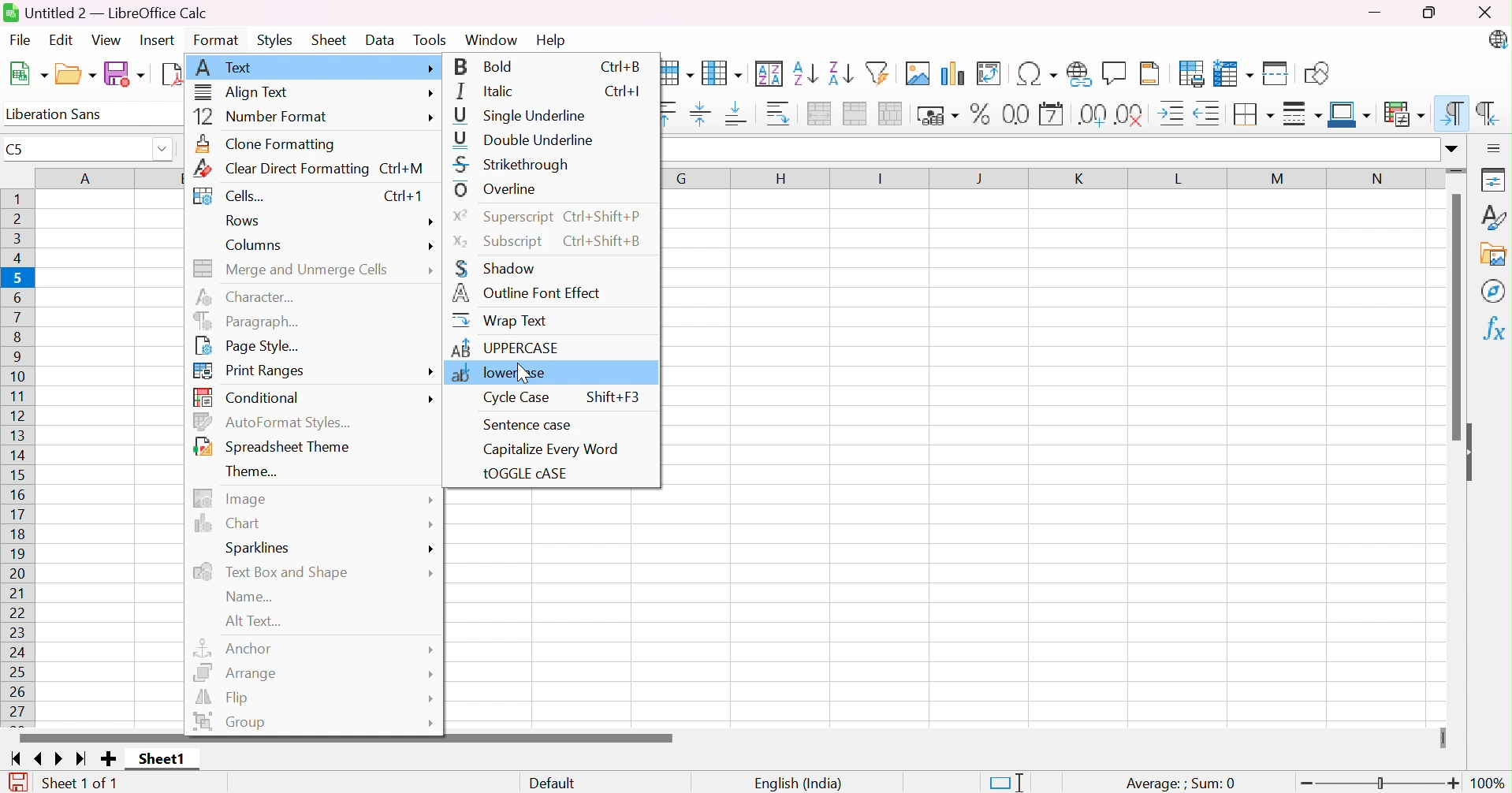  Describe the element at coordinates (277, 41) in the screenshot. I see `Styles` at that location.